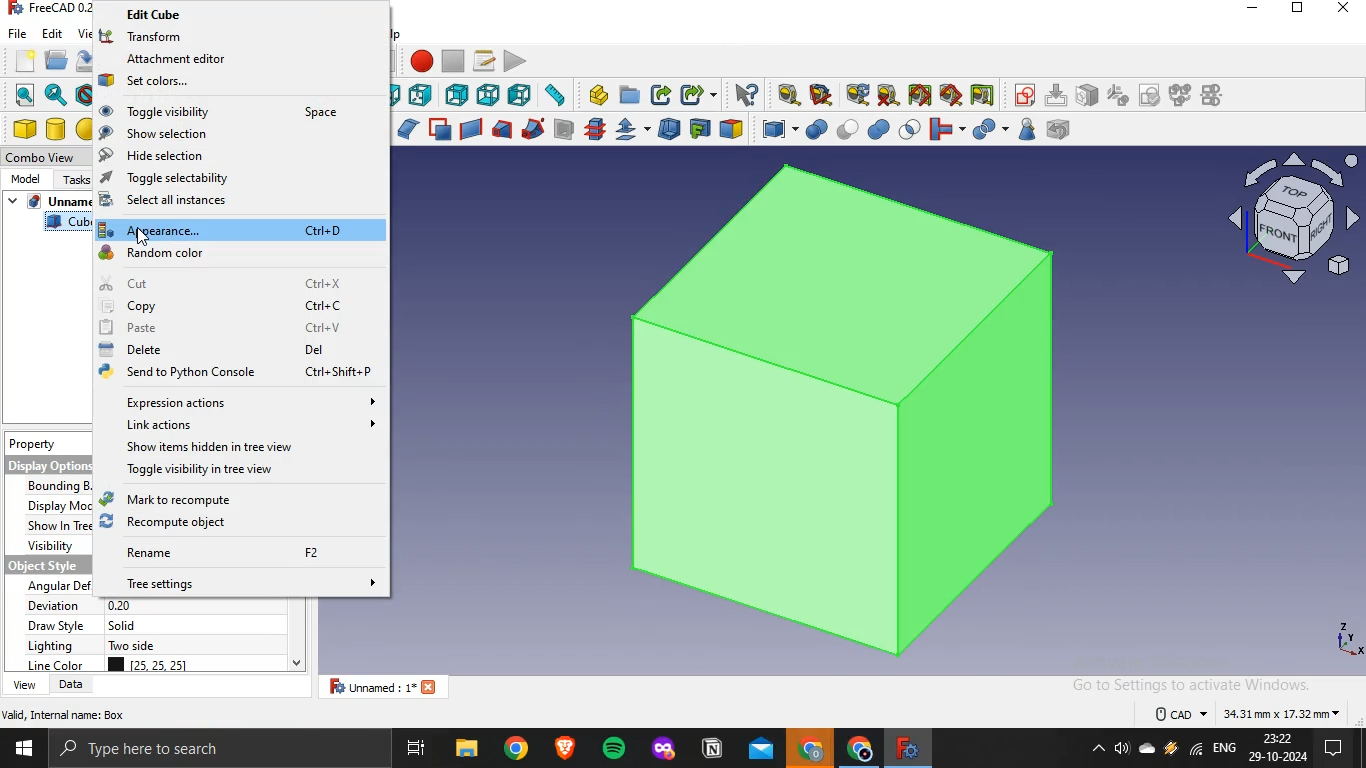  What do you see at coordinates (516, 60) in the screenshot?
I see `execute macro recording` at bounding box center [516, 60].